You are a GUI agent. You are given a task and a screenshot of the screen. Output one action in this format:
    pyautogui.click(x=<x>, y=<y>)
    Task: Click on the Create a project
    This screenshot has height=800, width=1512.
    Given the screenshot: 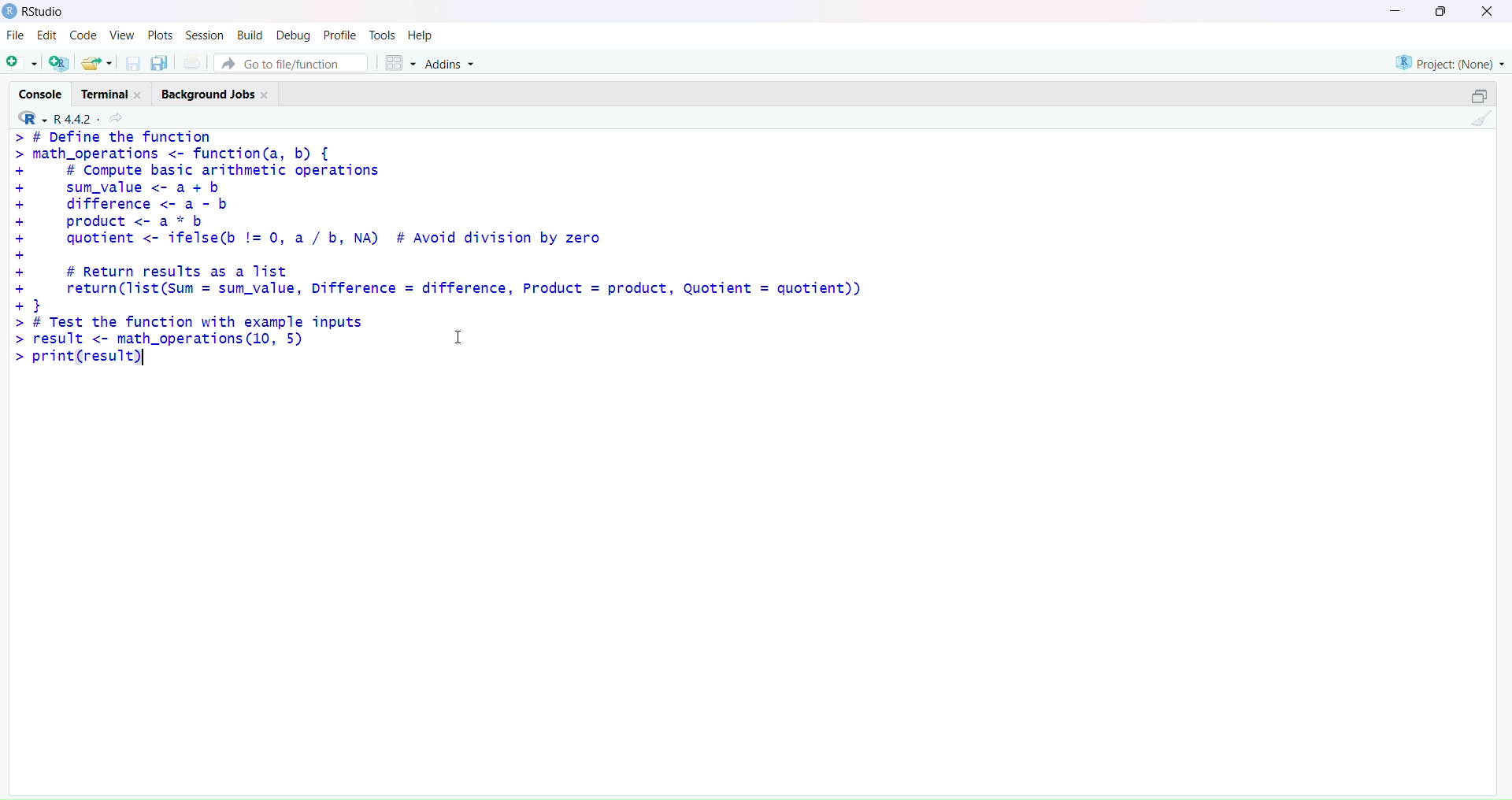 What is the action you would take?
    pyautogui.click(x=57, y=61)
    